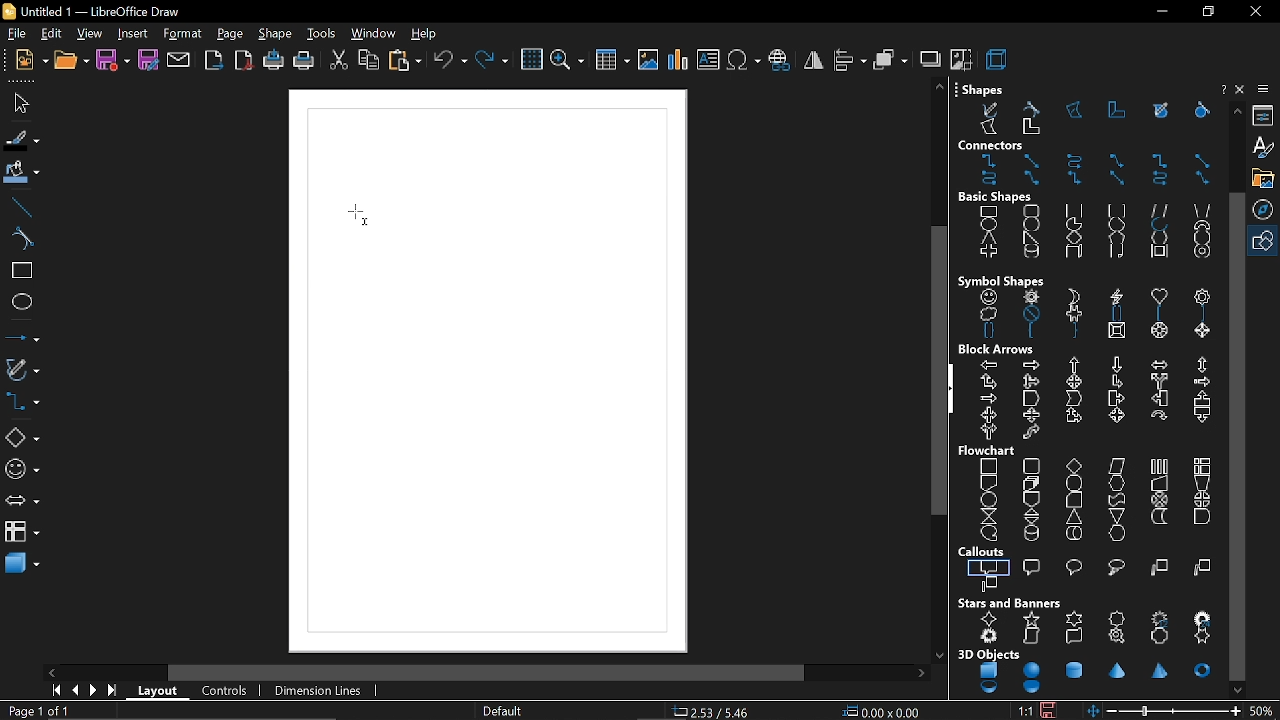 This screenshot has width=1280, height=720. I want to click on sequential access, so click(989, 532).